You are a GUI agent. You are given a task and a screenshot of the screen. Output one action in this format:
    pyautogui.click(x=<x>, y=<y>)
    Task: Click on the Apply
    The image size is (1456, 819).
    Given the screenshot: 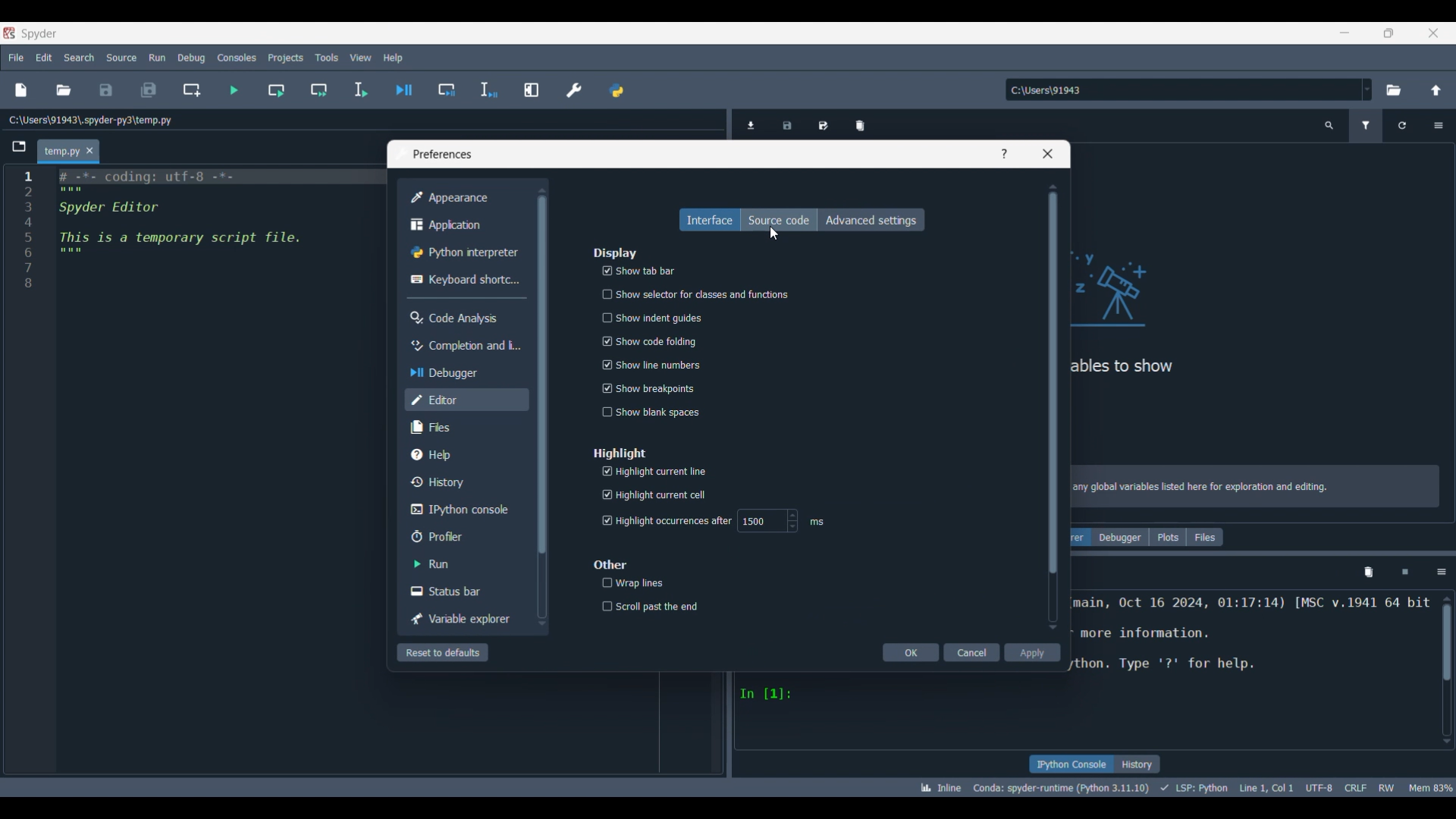 What is the action you would take?
    pyautogui.click(x=1032, y=653)
    